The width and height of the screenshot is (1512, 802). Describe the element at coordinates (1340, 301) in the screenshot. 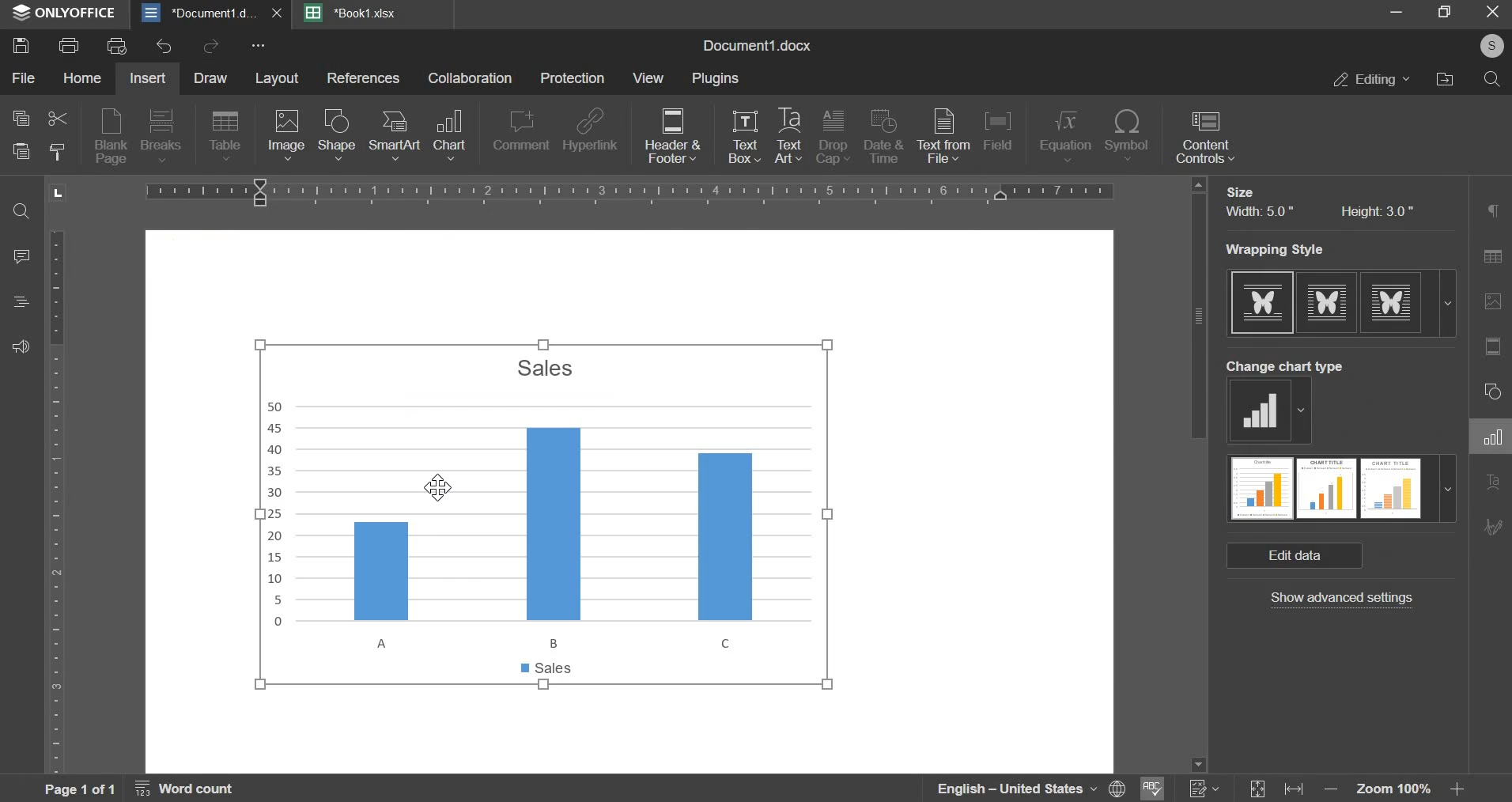

I see `wrapping style` at that location.